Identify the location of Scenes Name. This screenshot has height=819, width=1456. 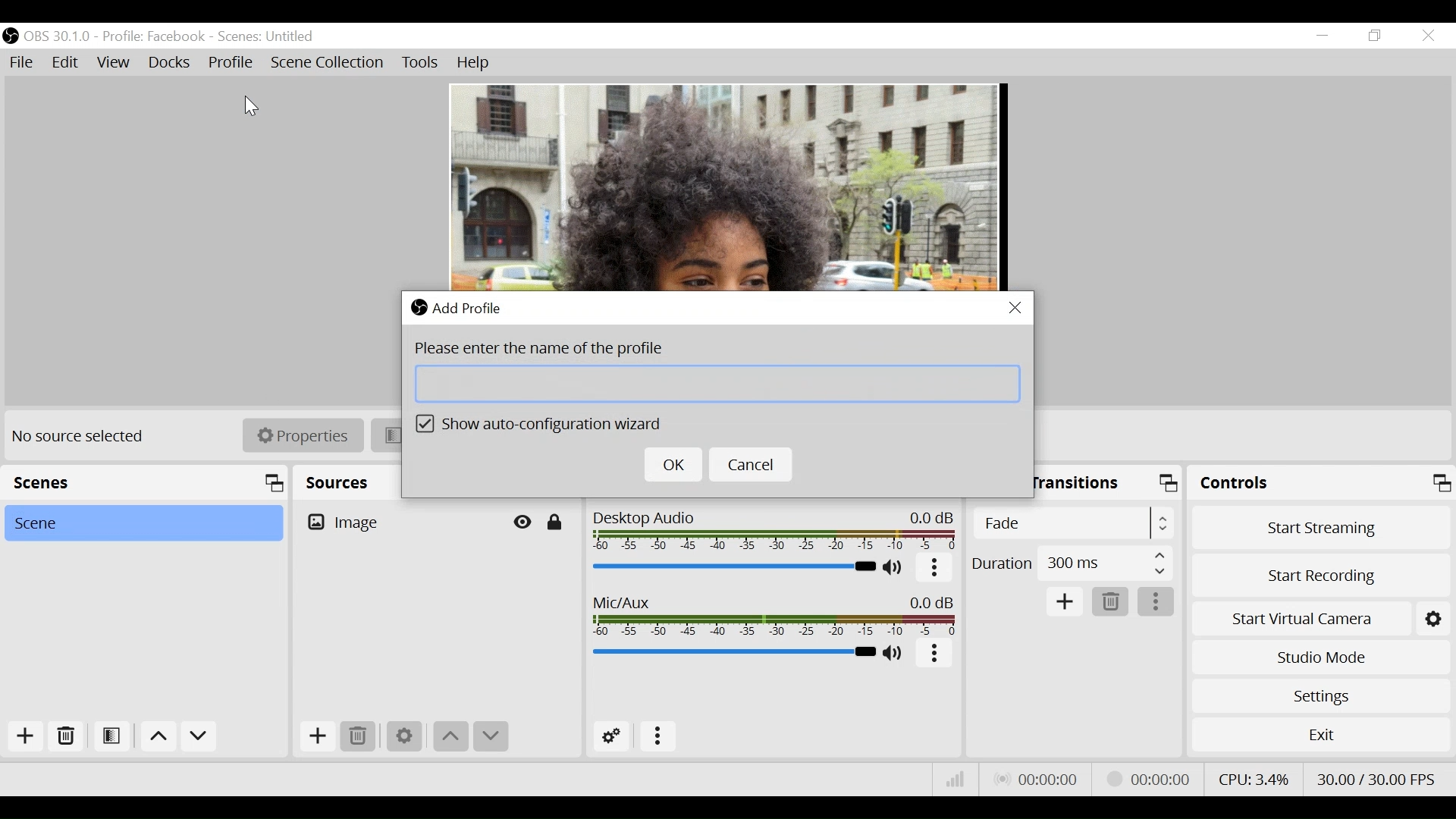
(276, 36).